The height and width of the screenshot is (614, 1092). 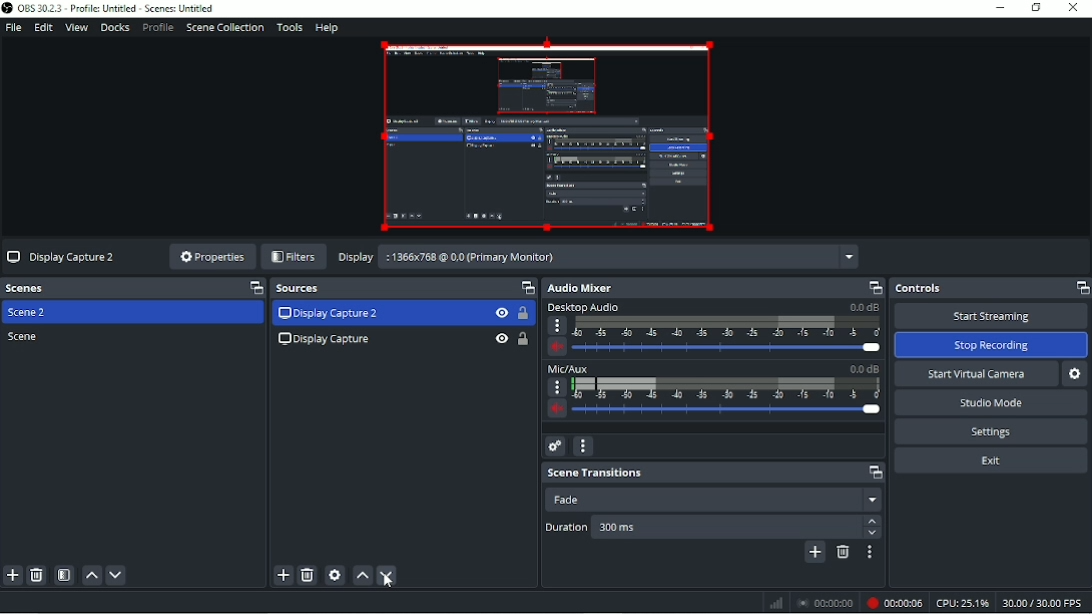 What do you see at coordinates (714, 472) in the screenshot?
I see `Scene transitions` at bounding box center [714, 472].